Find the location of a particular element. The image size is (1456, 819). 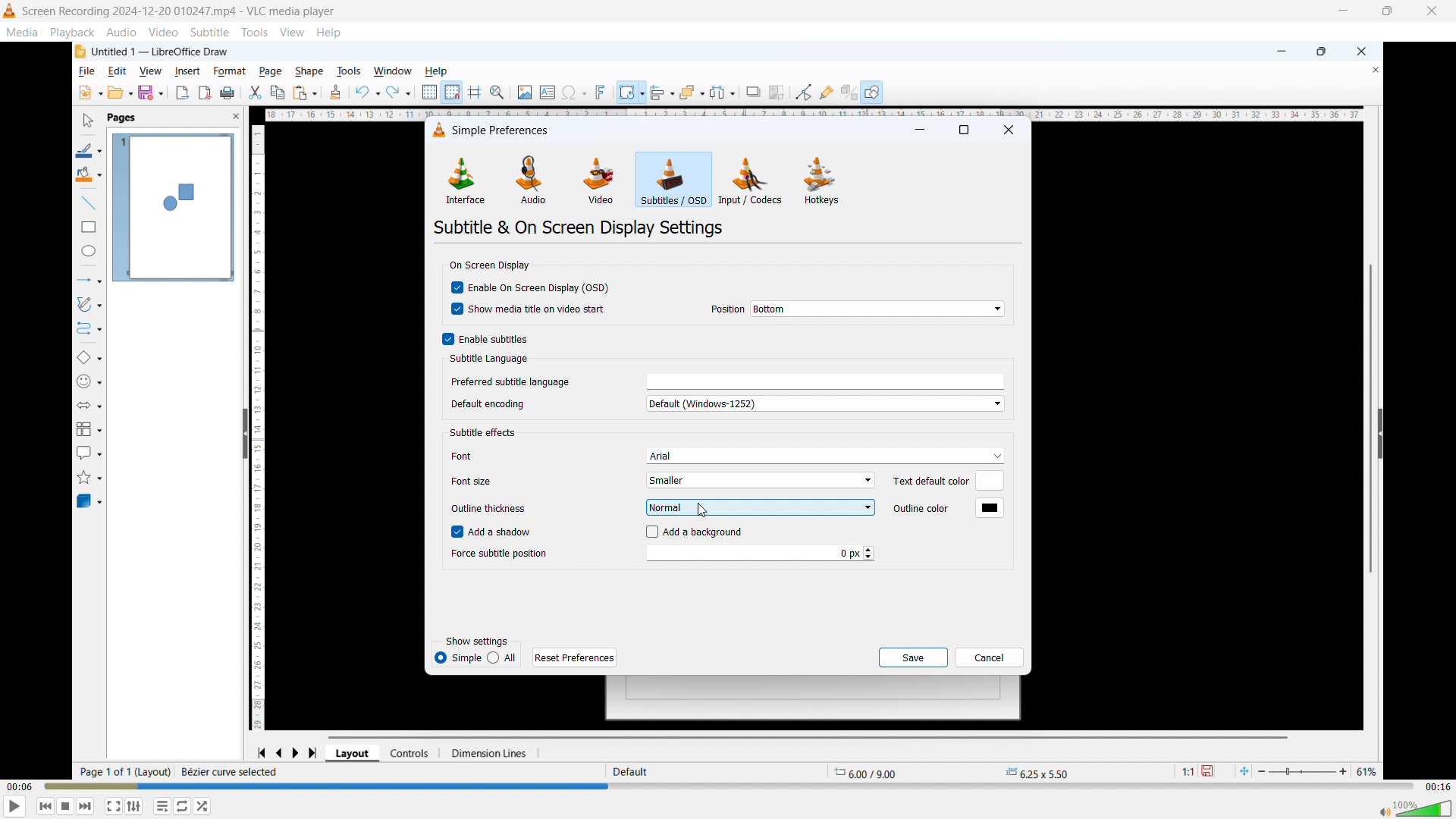

show media title and video start  is located at coordinates (530, 309).